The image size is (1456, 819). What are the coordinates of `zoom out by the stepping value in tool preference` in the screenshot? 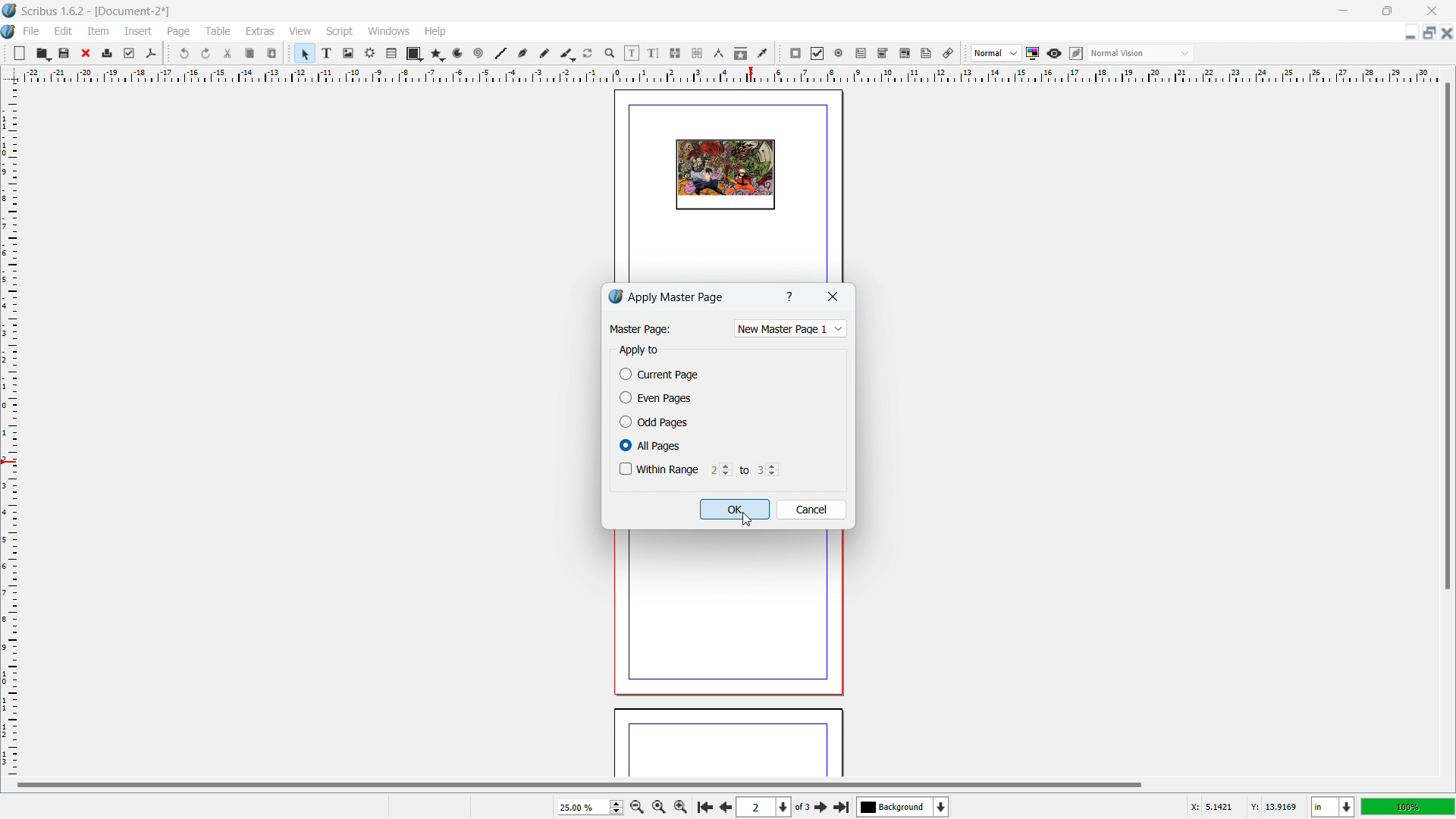 It's located at (636, 806).